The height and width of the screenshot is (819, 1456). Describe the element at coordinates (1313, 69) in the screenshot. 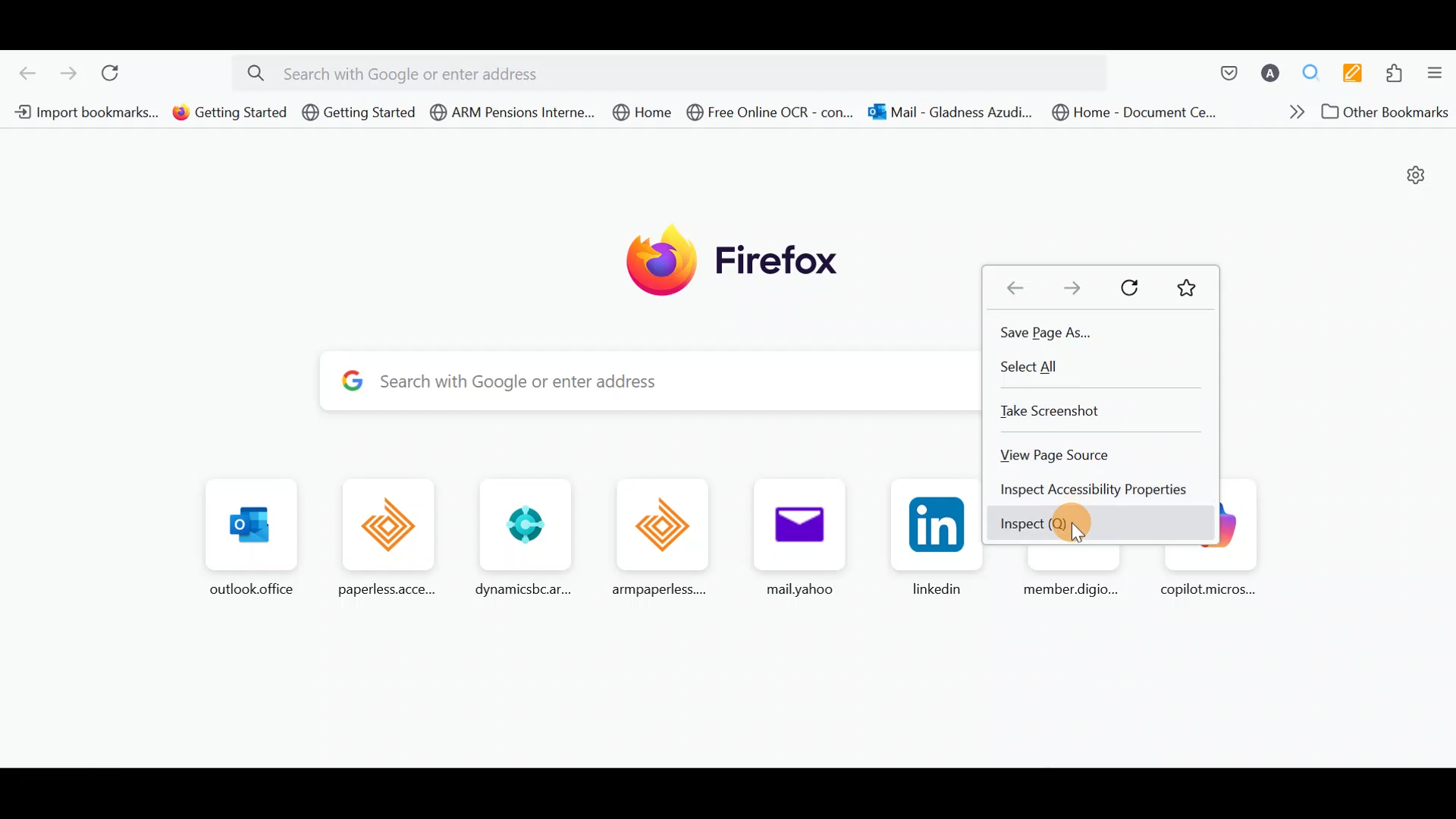

I see `Multiple search & highlight` at that location.